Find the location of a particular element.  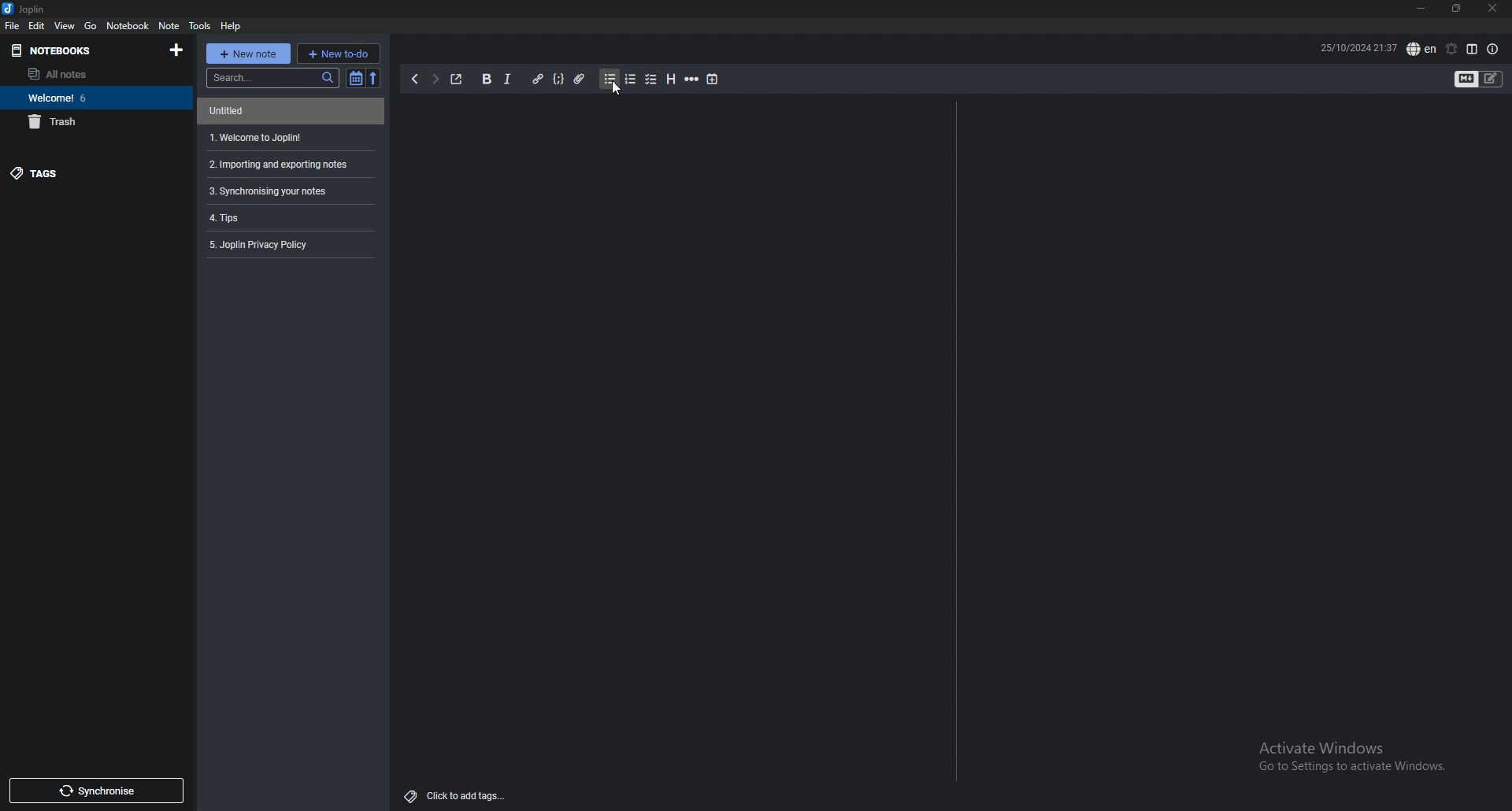

Note is located at coordinates (166, 24).